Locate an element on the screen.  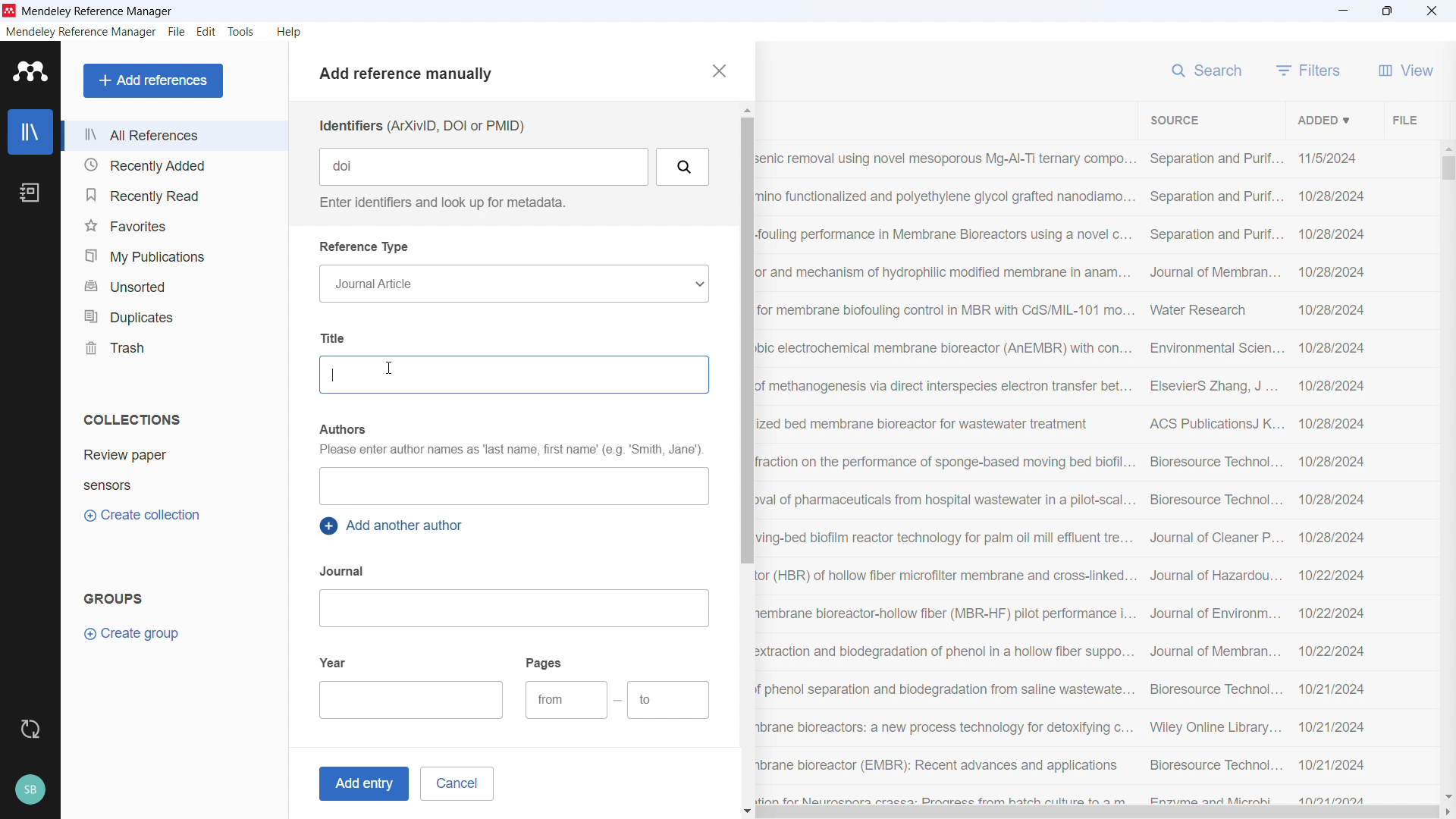
Starting page  is located at coordinates (566, 700).